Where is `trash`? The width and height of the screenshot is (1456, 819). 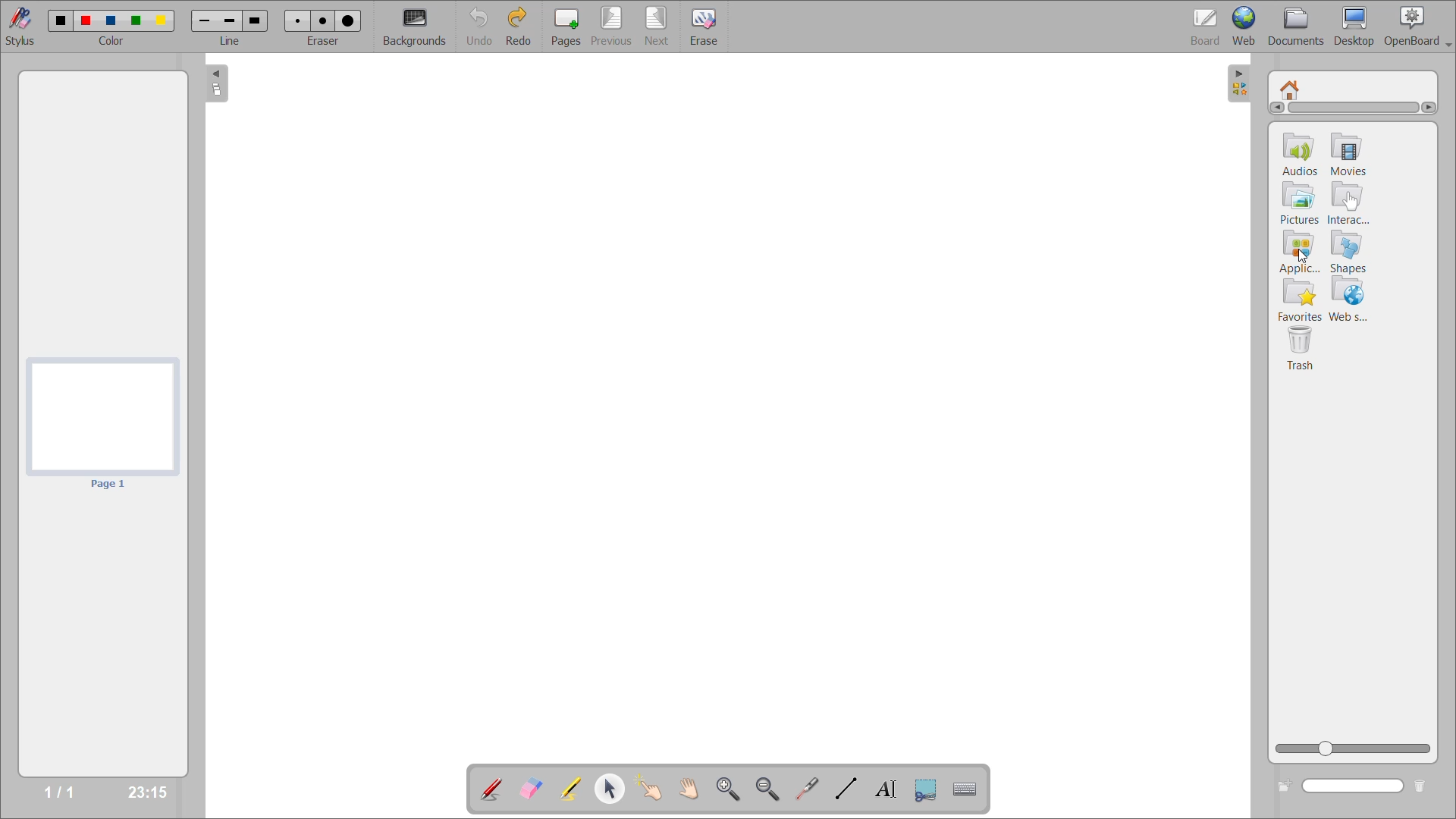 trash is located at coordinates (1301, 348).